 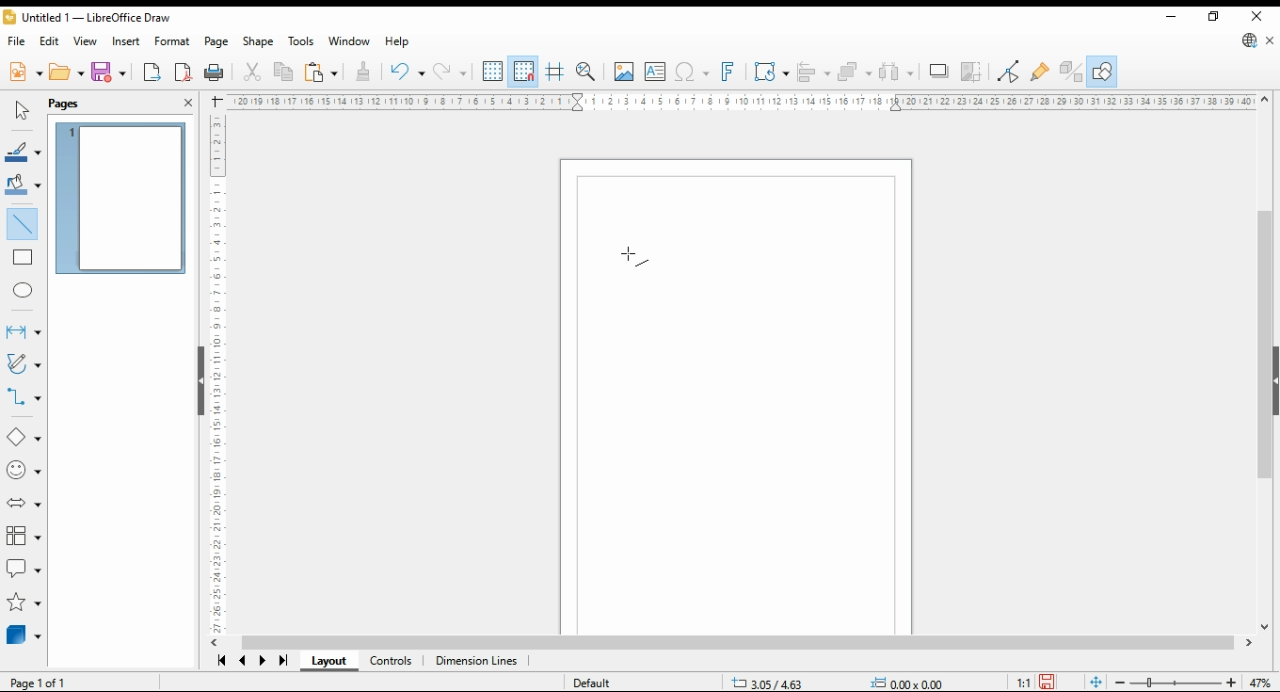 What do you see at coordinates (1172, 17) in the screenshot?
I see `minimize` at bounding box center [1172, 17].